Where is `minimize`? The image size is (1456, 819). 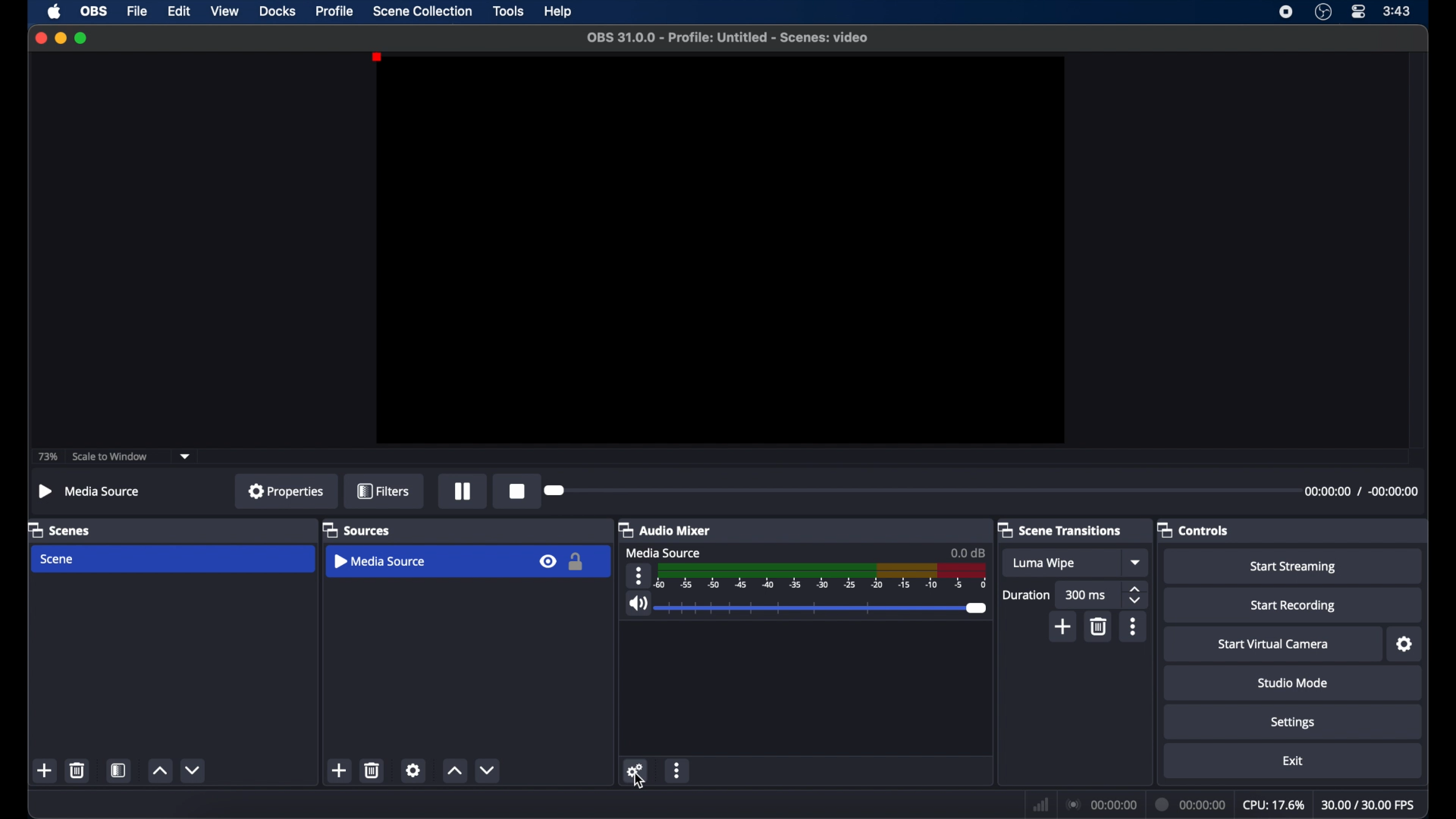 minimize is located at coordinates (60, 37).